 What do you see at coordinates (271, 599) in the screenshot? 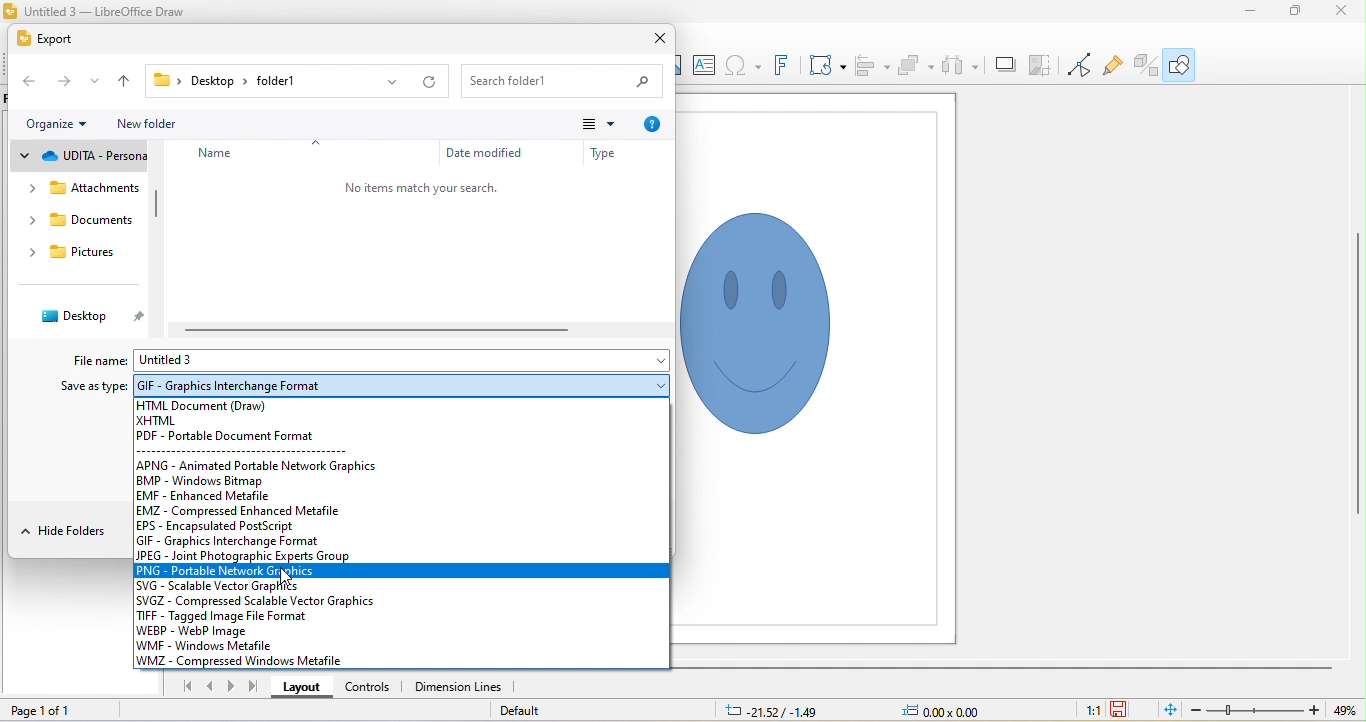
I see `SVGZ-compressed scalable vector graphics` at bounding box center [271, 599].